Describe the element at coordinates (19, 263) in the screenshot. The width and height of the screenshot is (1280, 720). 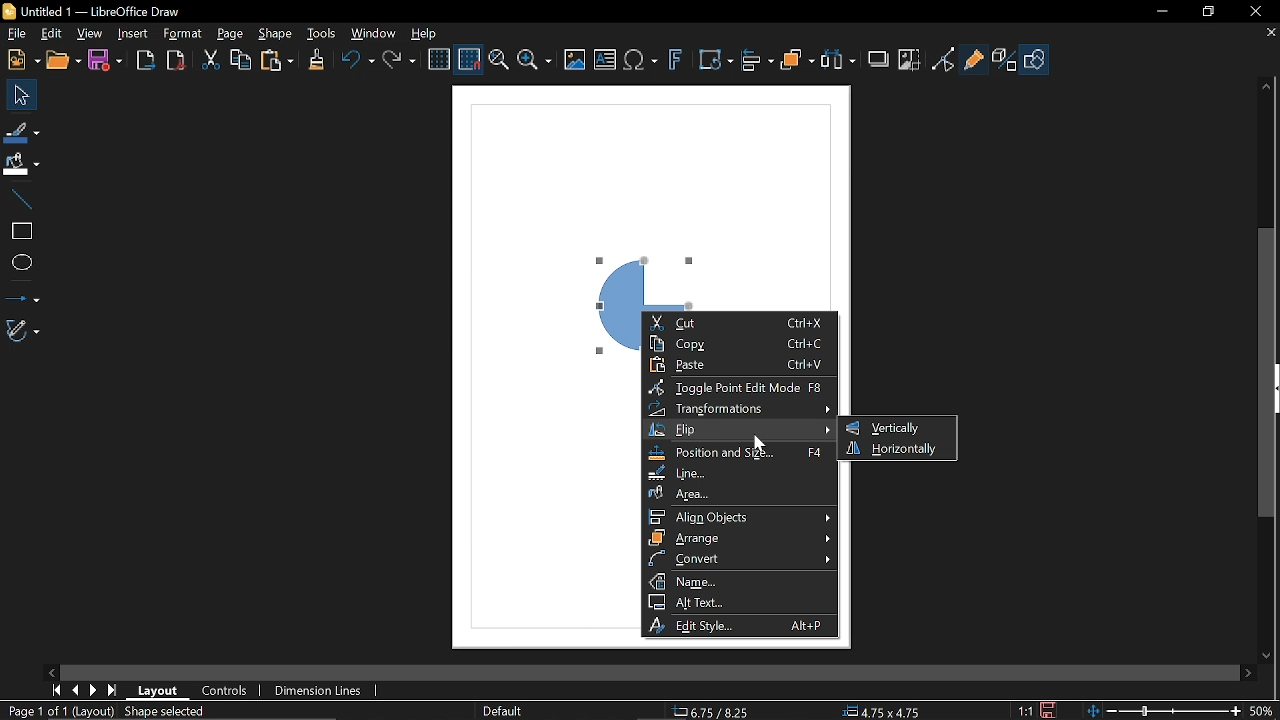
I see `Ellipse` at that location.